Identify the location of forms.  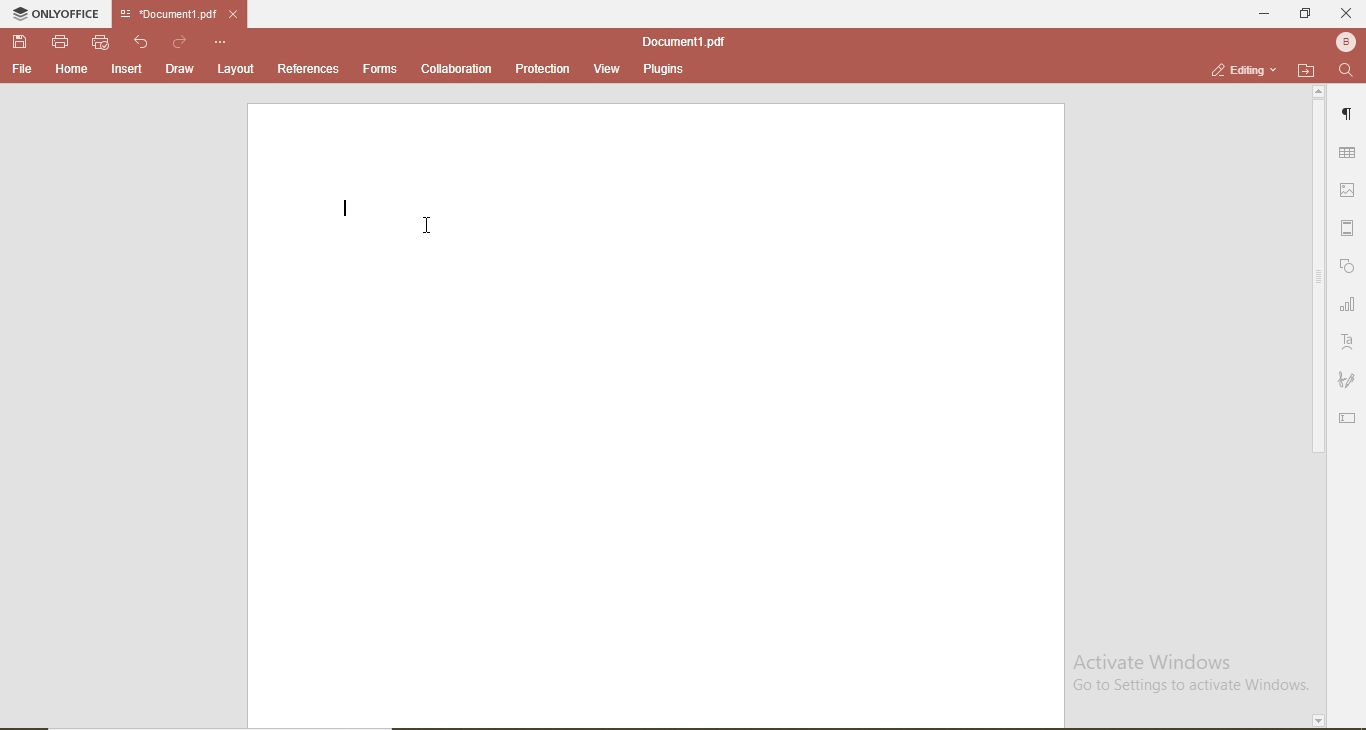
(378, 69).